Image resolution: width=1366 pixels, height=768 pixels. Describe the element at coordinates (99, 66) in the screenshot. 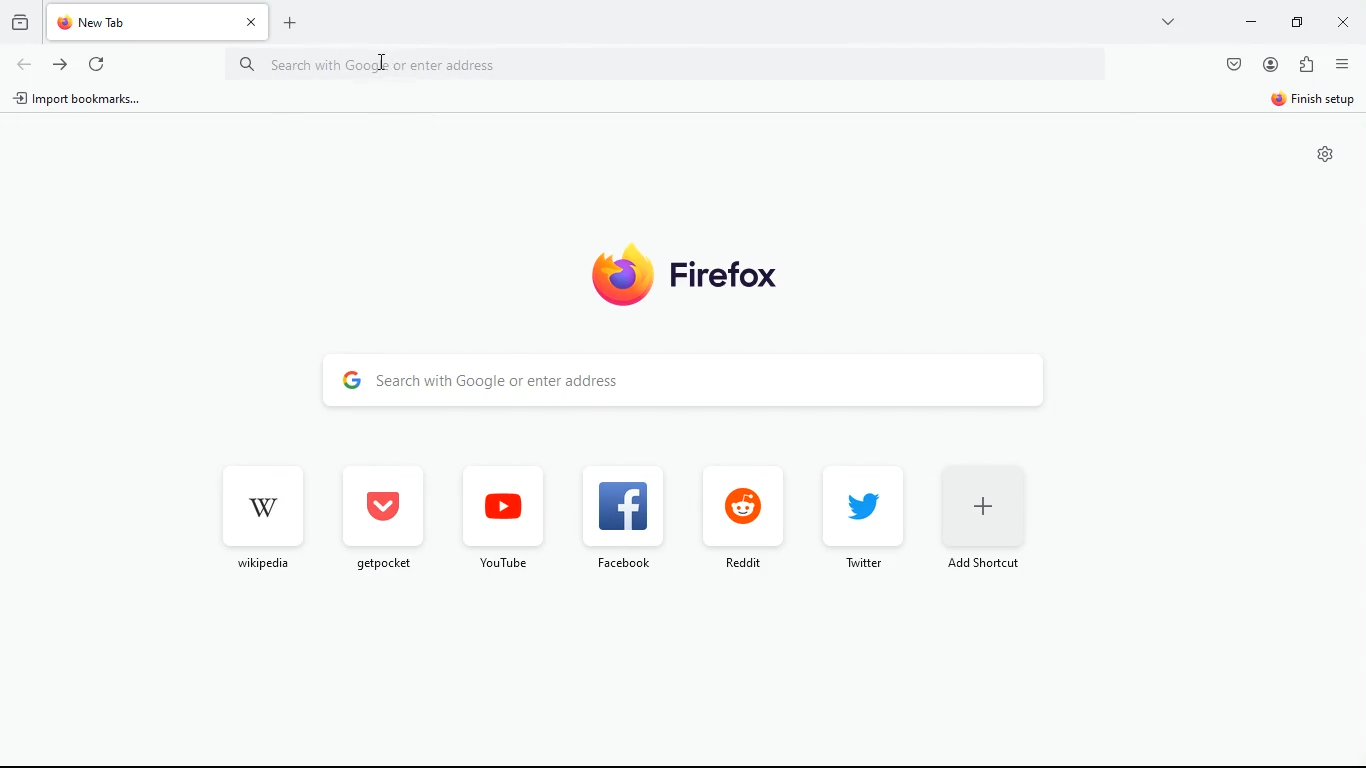

I see `refresh` at that location.